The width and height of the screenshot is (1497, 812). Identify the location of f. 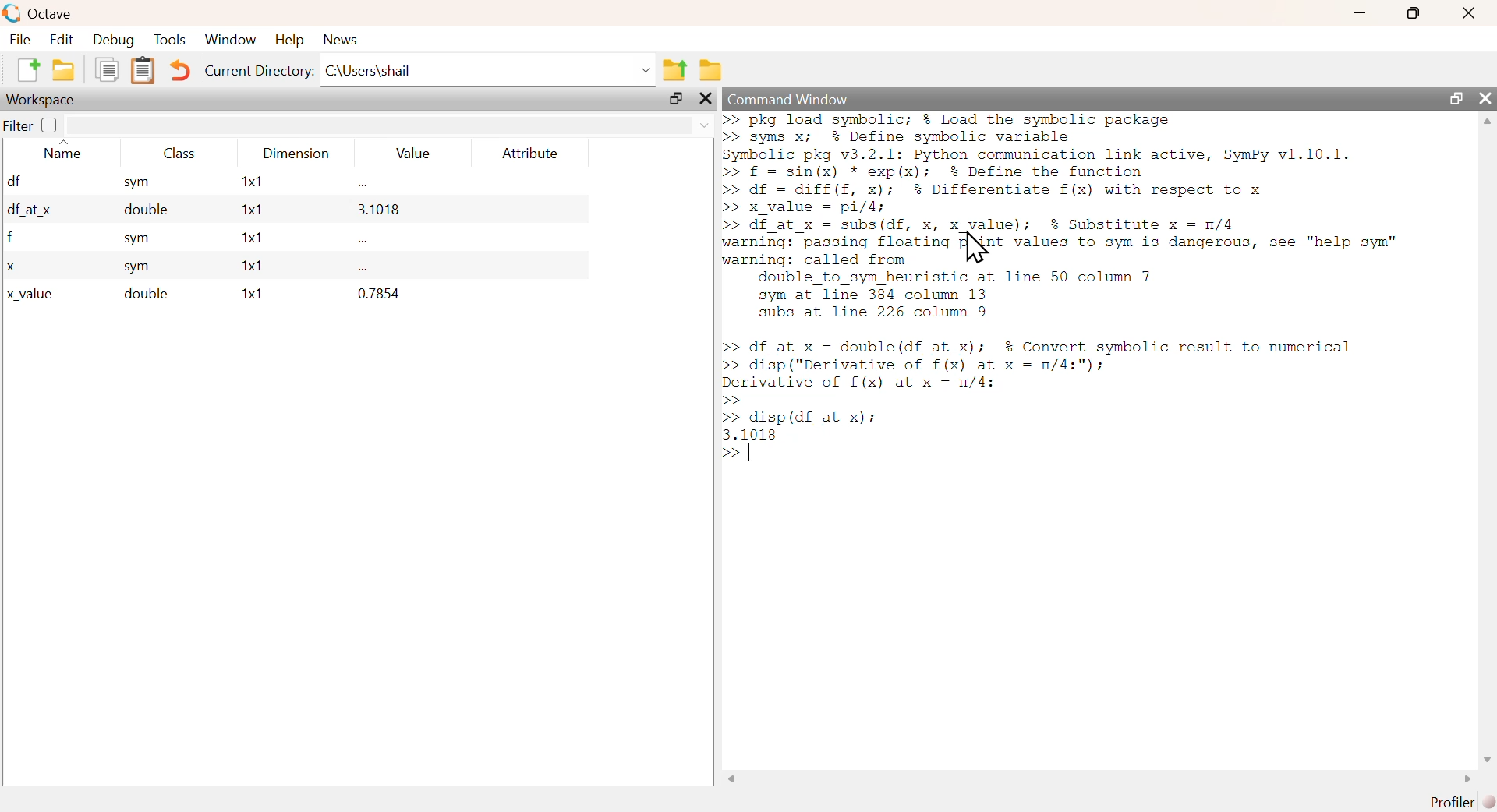
(11, 238).